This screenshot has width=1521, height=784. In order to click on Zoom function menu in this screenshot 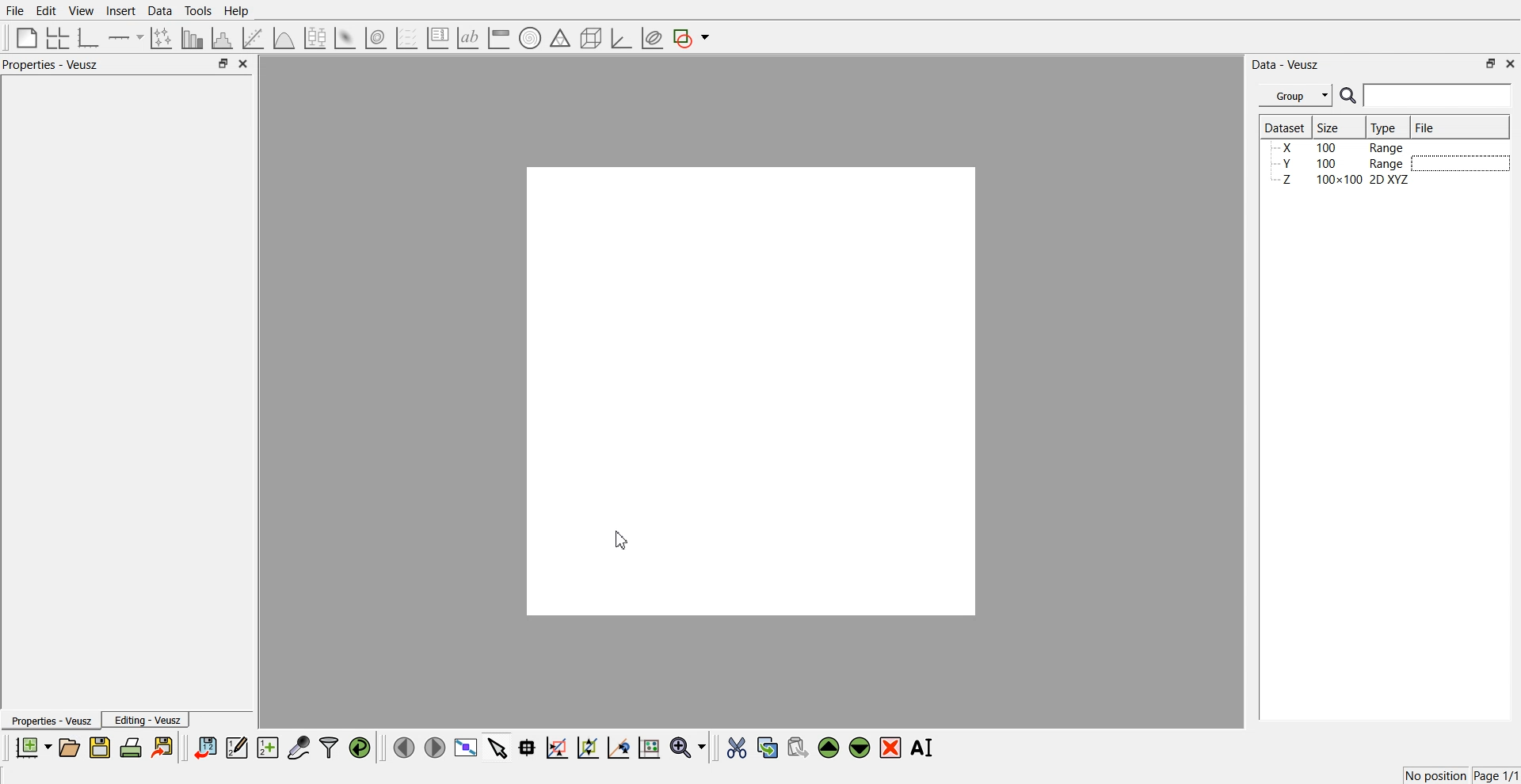, I will do `click(690, 747)`.